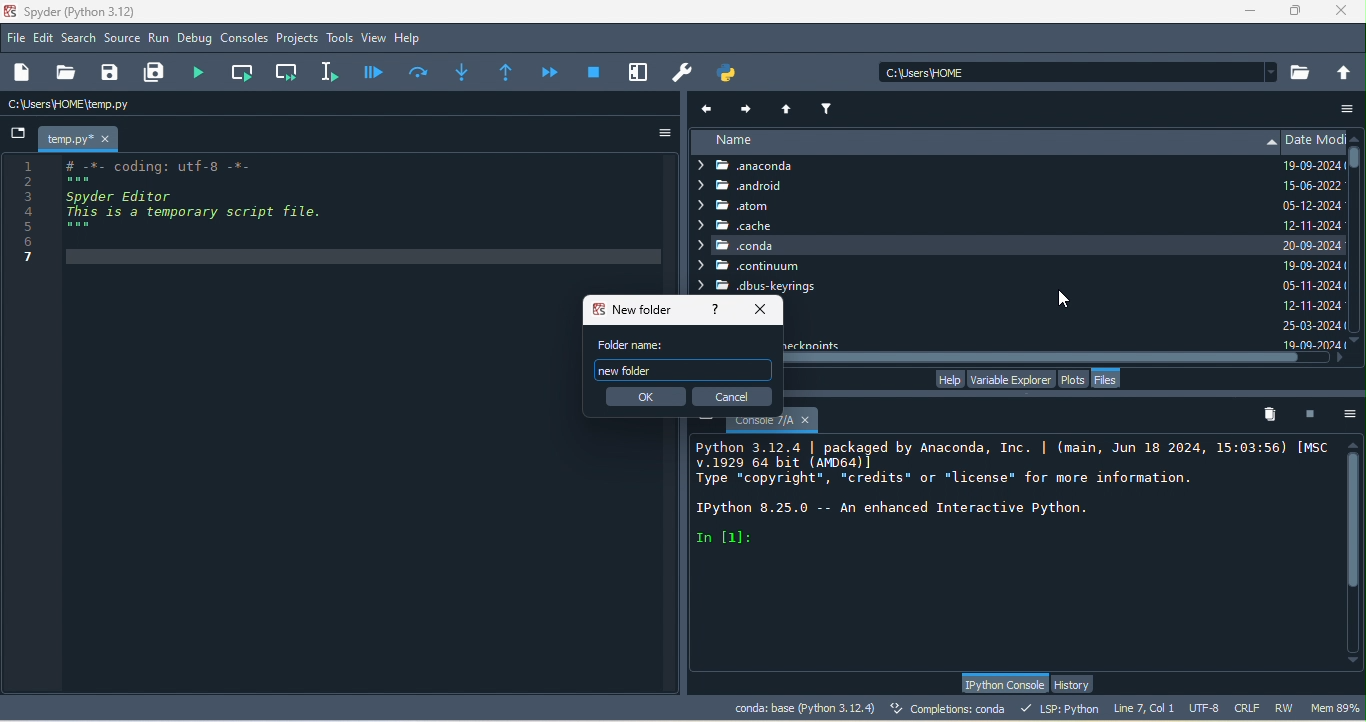 The image size is (1366, 722). Describe the element at coordinates (639, 72) in the screenshot. I see `maximize current pane` at that location.